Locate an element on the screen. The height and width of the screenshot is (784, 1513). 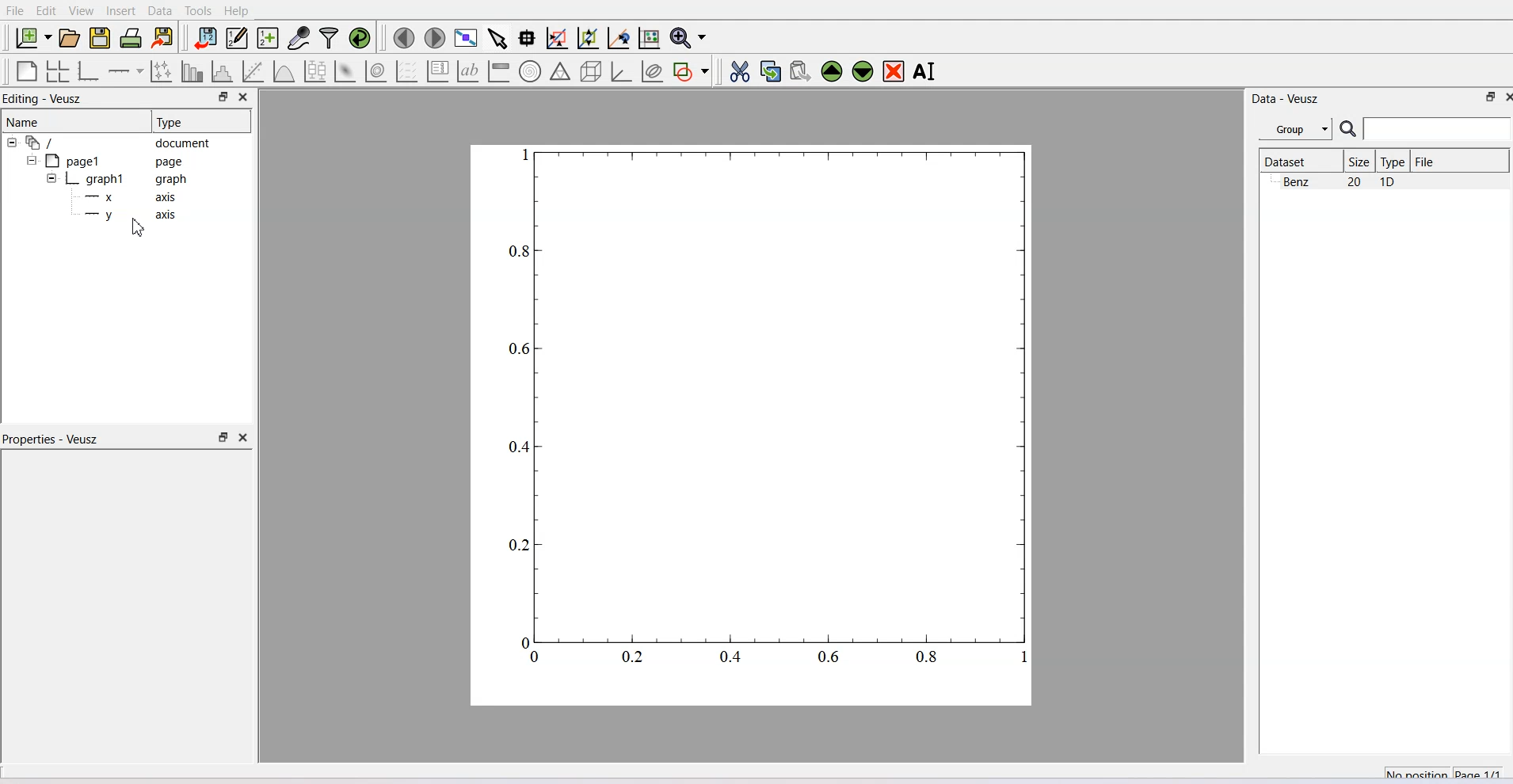
Import data is located at coordinates (205, 37).